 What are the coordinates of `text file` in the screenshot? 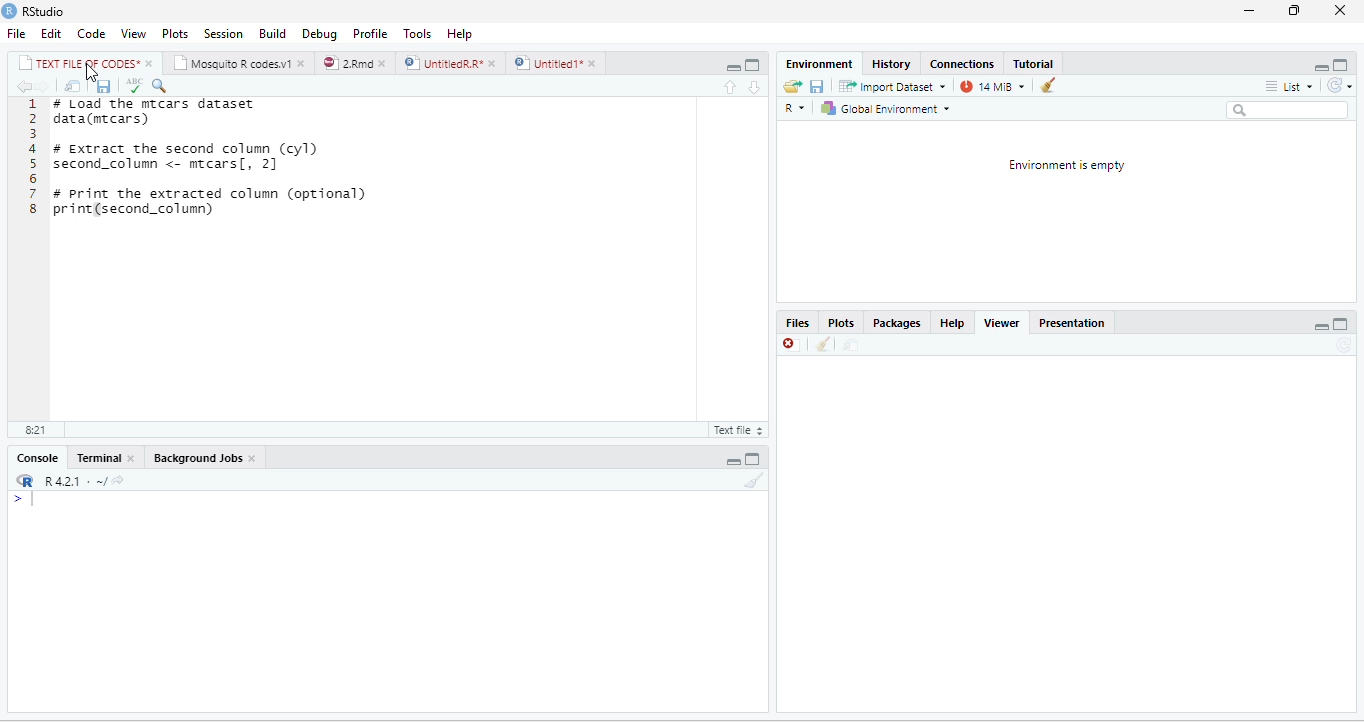 It's located at (737, 431).